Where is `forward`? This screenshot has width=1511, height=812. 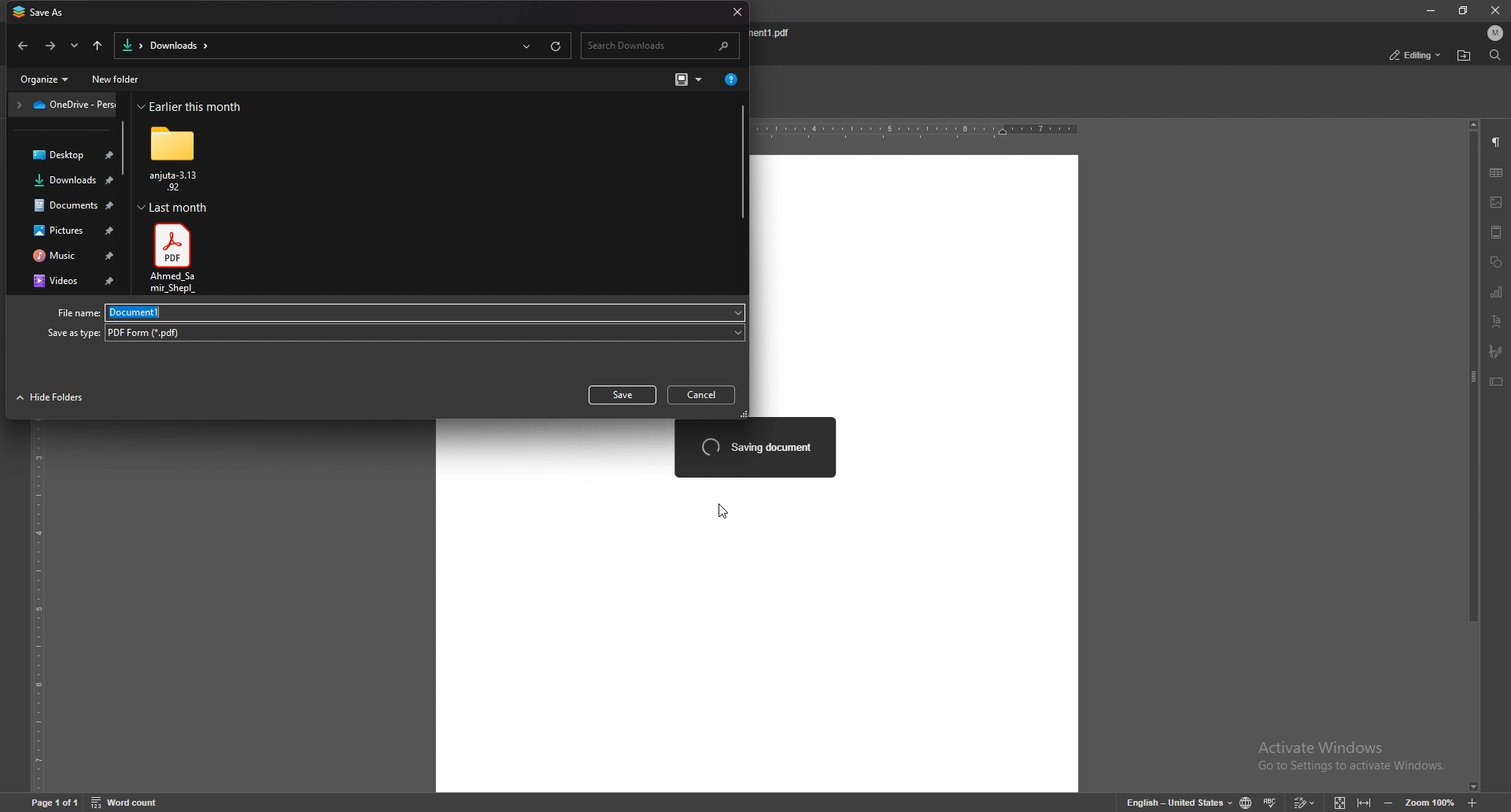
forward is located at coordinates (50, 46).